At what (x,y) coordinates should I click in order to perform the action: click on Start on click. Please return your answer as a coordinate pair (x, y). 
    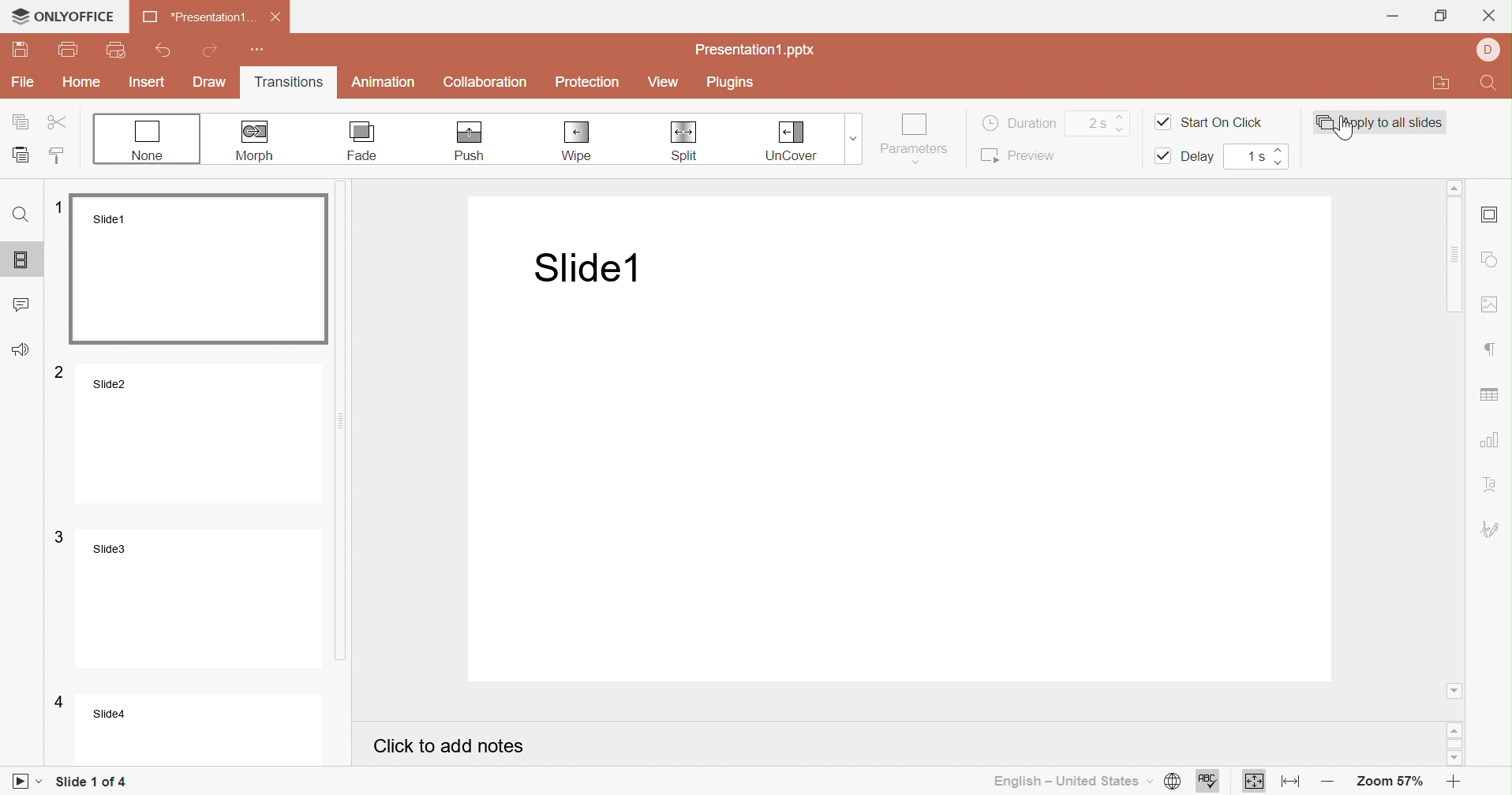
    Looking at the image, I should click on (1209, 121).